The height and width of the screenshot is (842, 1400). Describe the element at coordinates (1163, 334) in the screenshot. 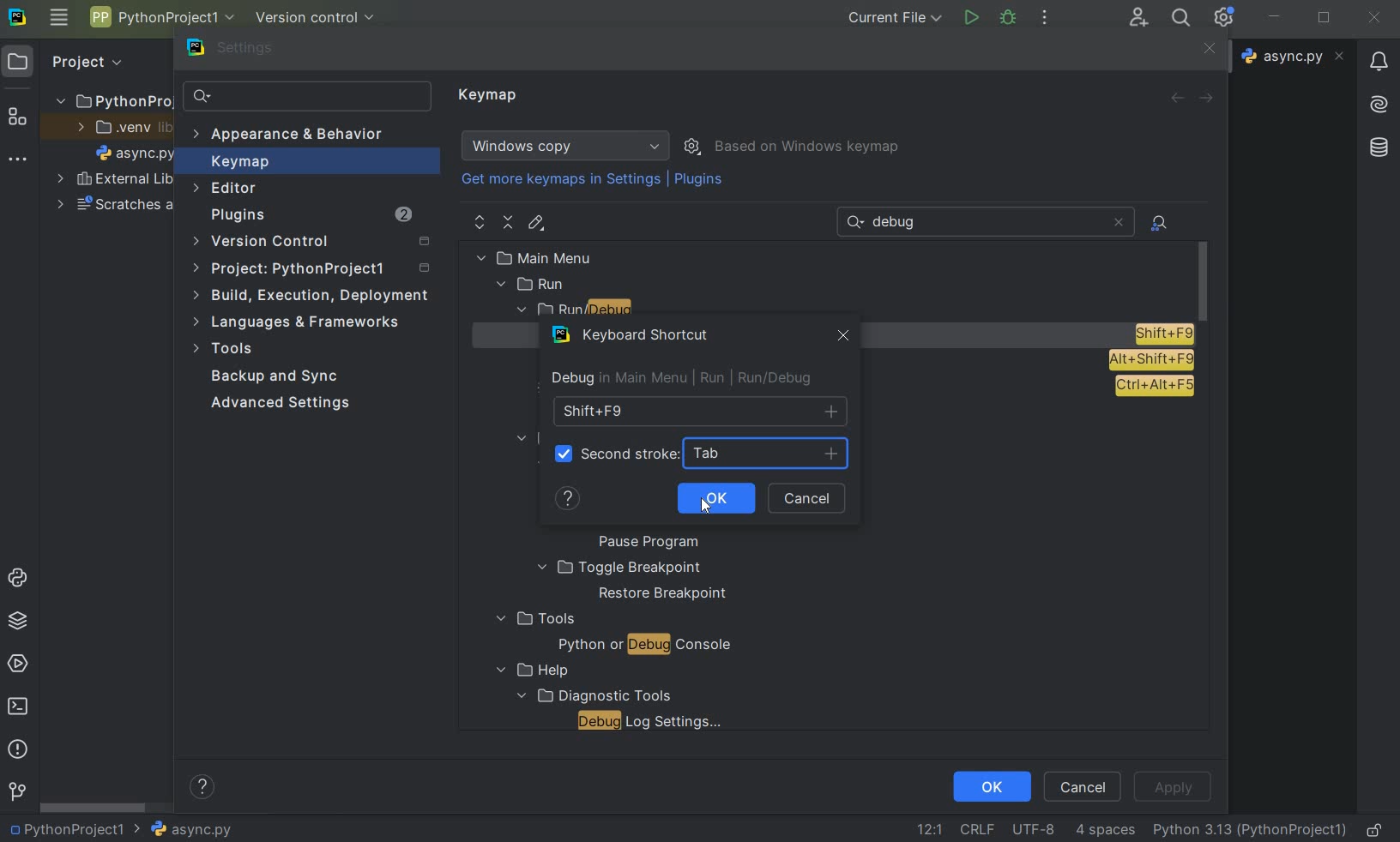

I see `Shift+F9` at that location.